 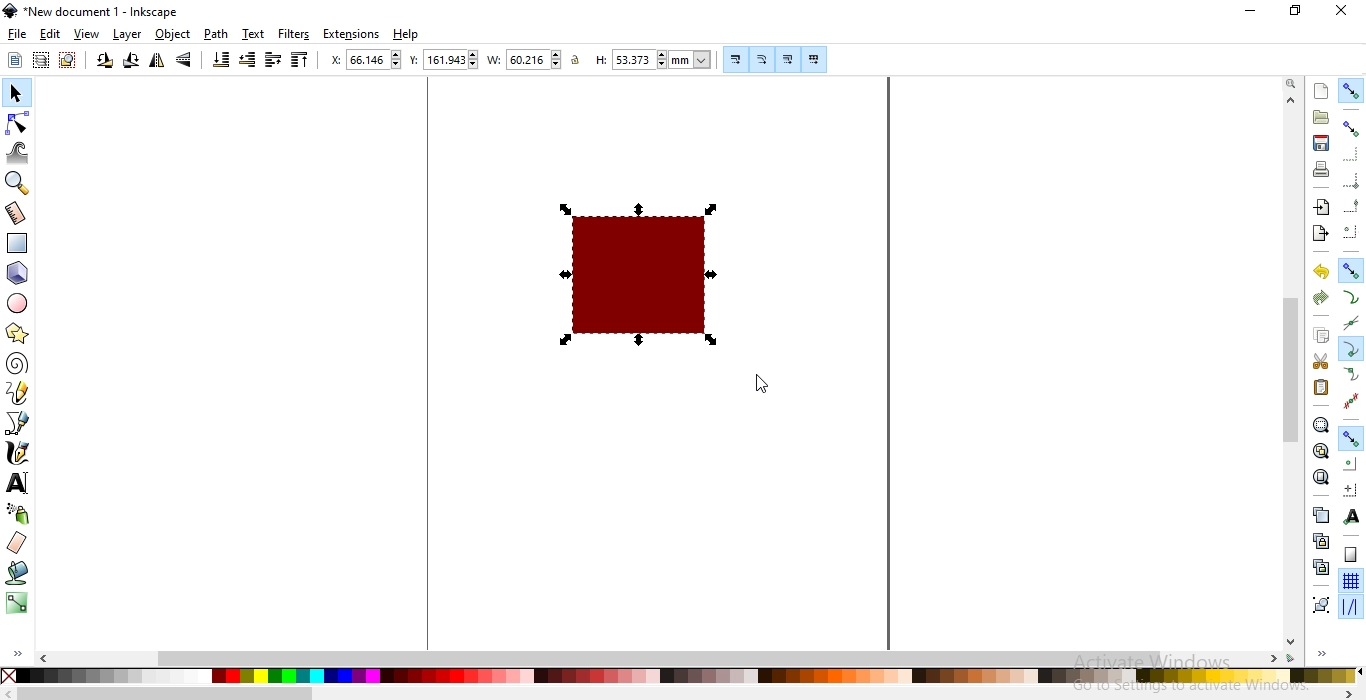 I want to click on erase existing paths, so click(x=17, y=544).